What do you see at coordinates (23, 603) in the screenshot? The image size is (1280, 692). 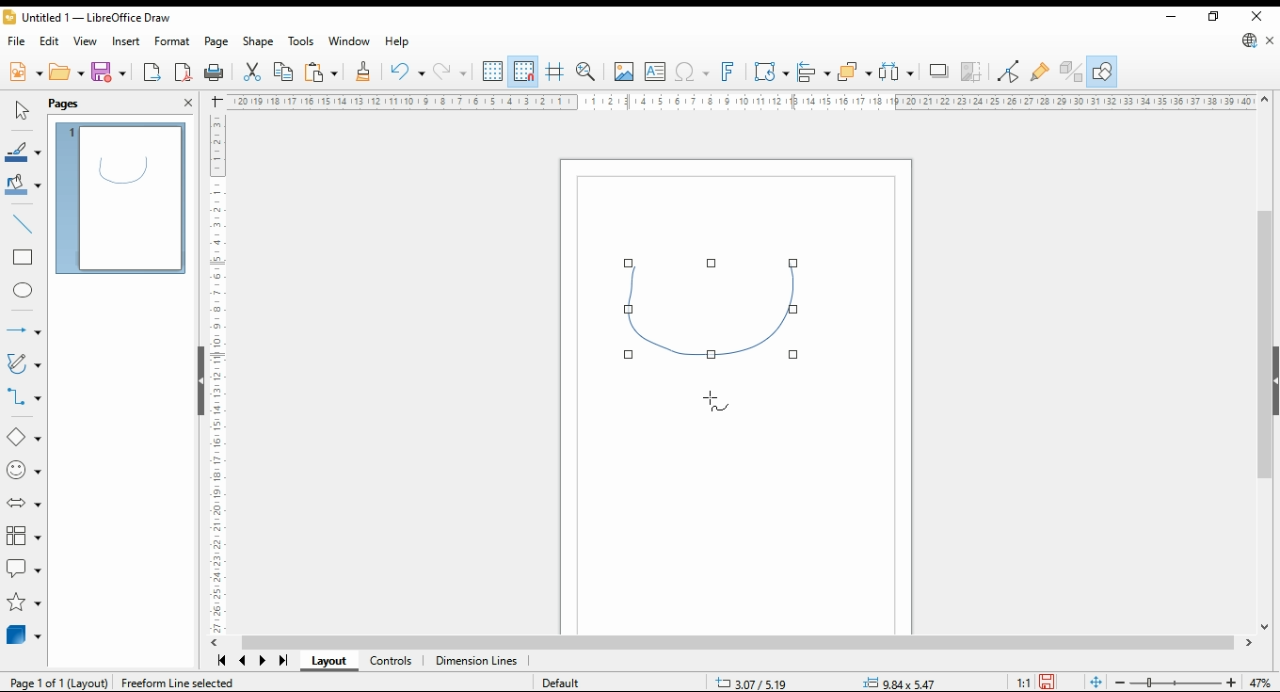 I see `stars and banners` at bounding box center [23, 603].